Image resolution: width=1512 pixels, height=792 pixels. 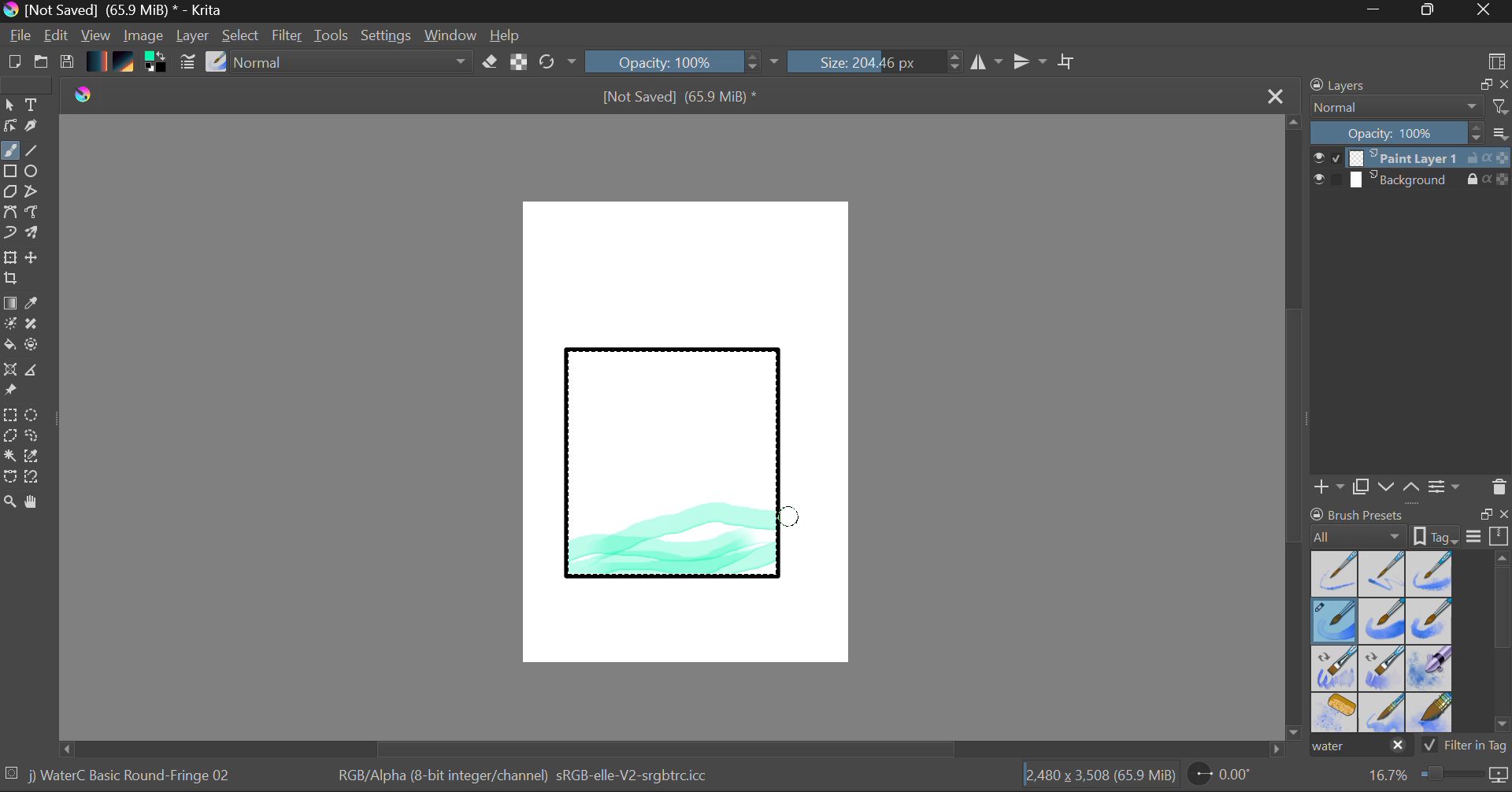 What do you see at coordinates (32, 103) in the screenshot?
I see `Text` at bounding box center [32, 103].